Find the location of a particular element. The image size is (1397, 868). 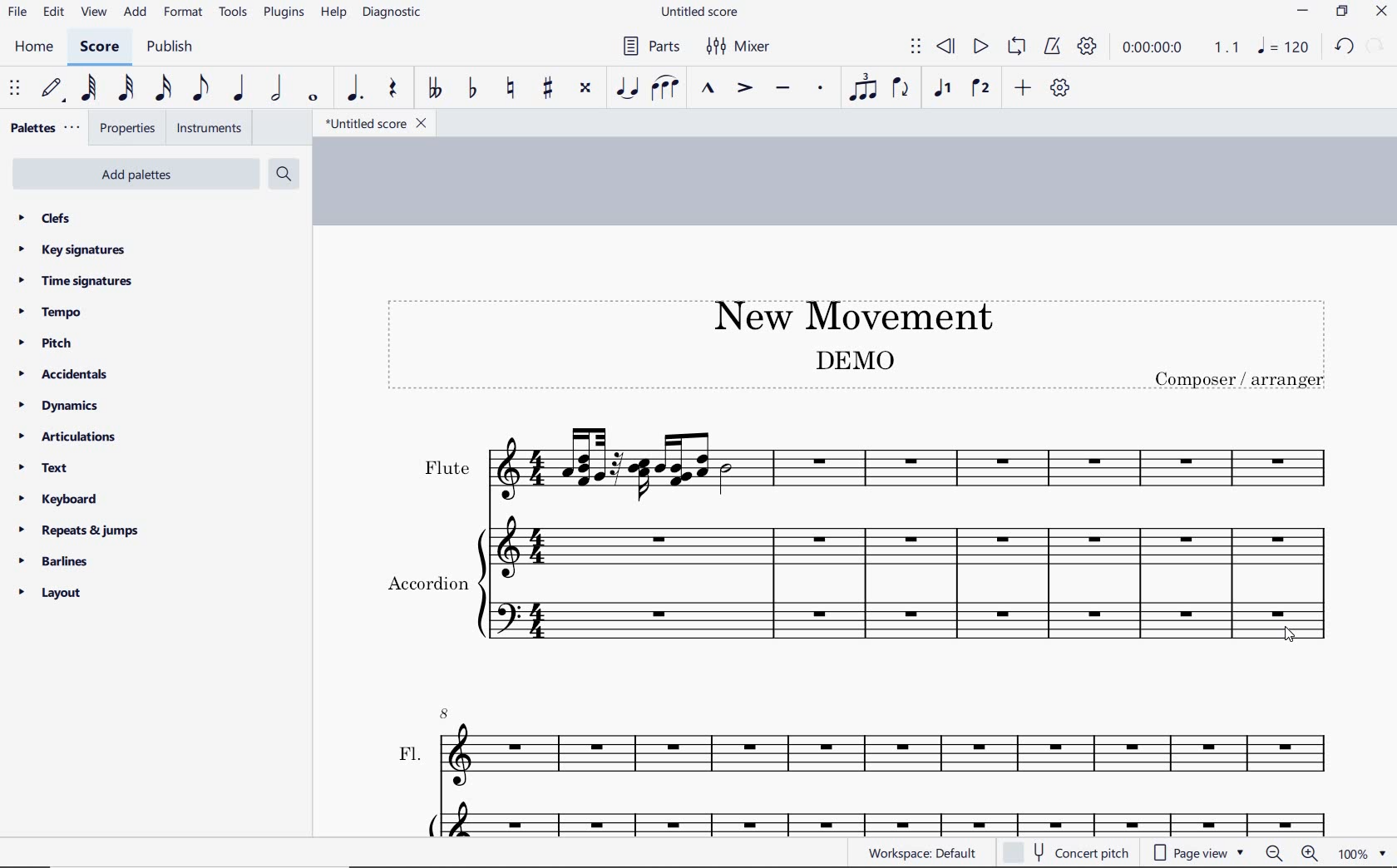

redo is located at coordinates (1377, 45).